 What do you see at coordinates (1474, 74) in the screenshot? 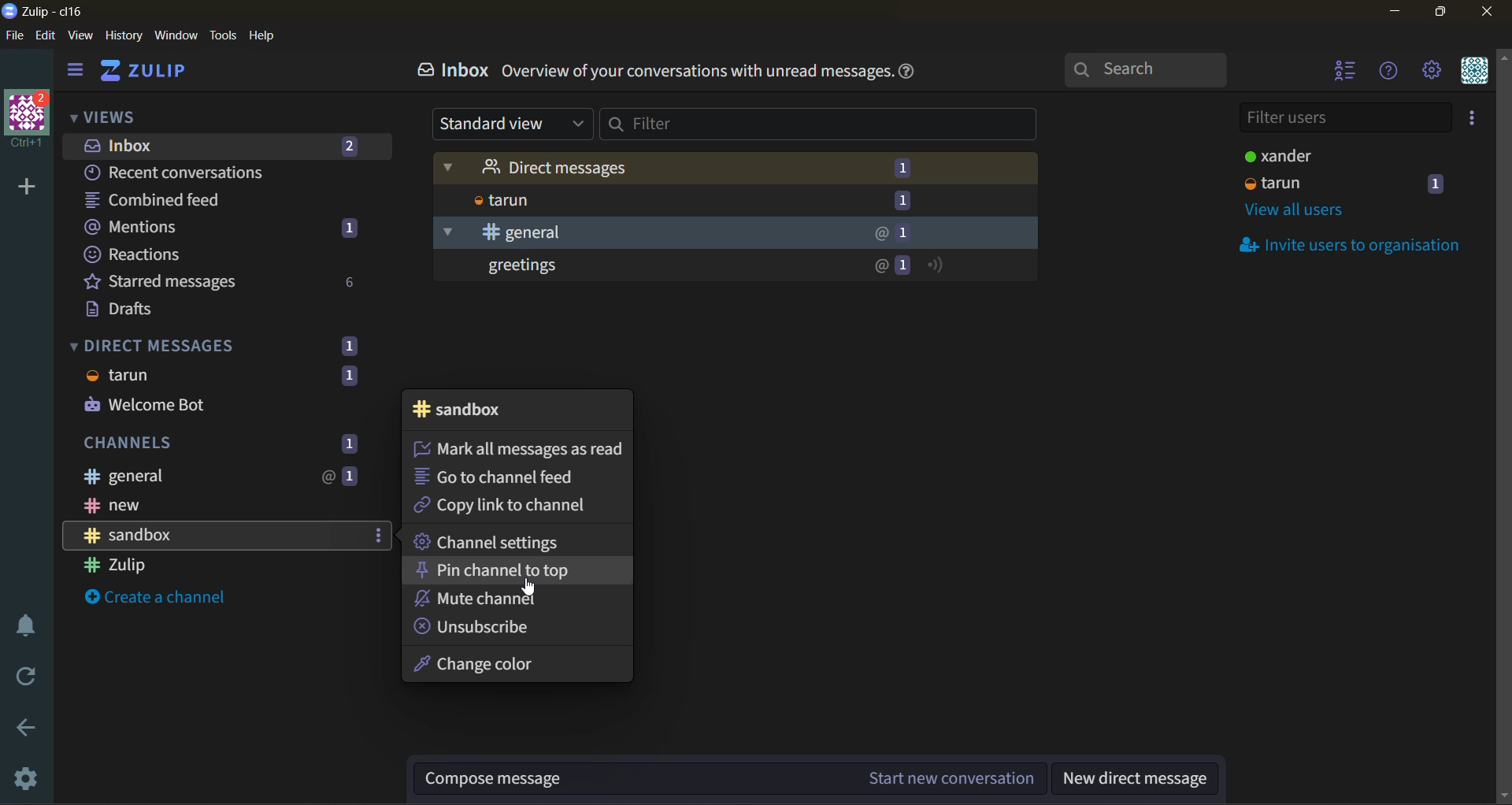
I see `personal menu` at bounding box center [1474, 74].